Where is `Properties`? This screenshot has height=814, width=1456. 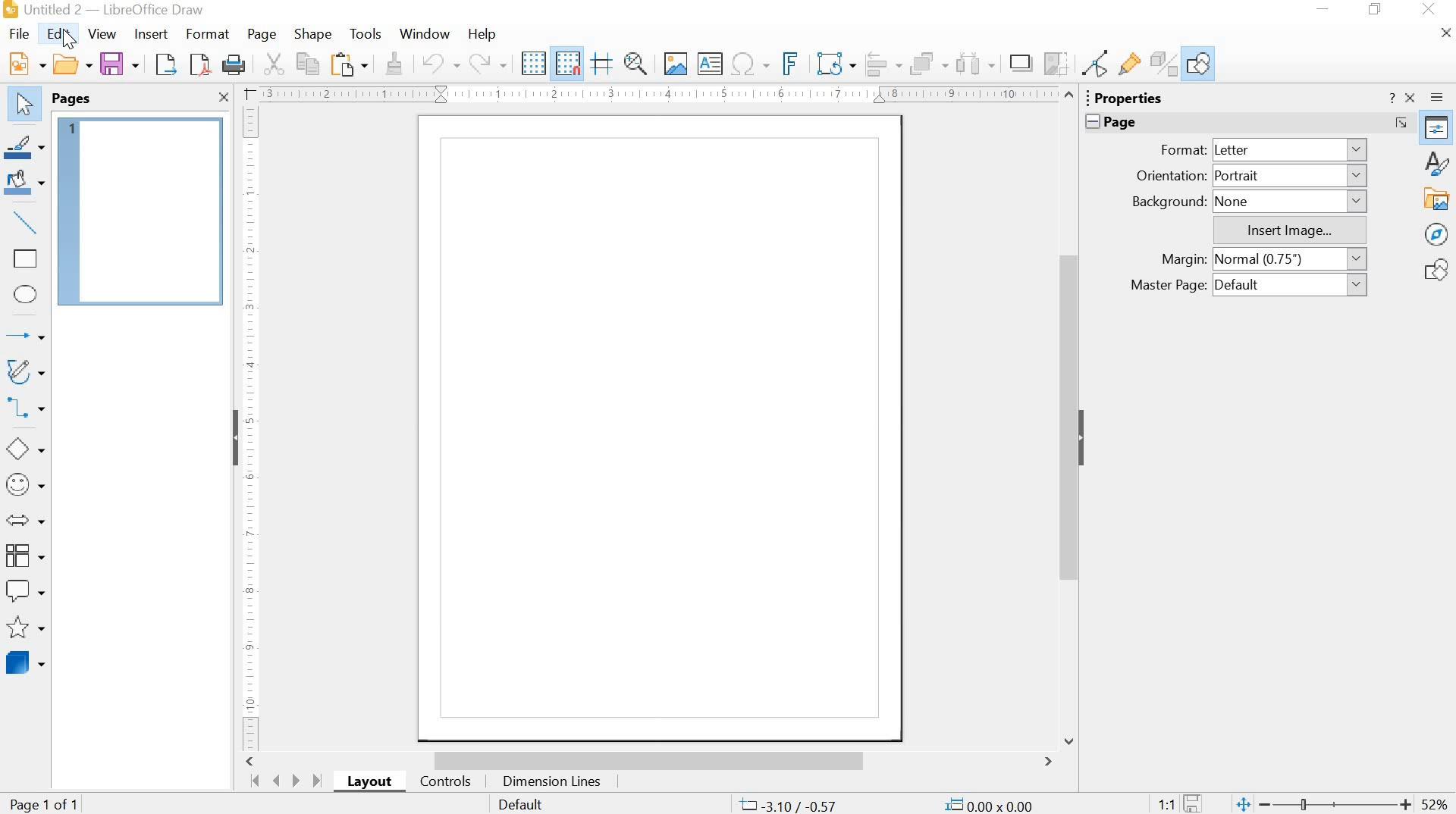 Properties is located at coordinates (1436, 127).